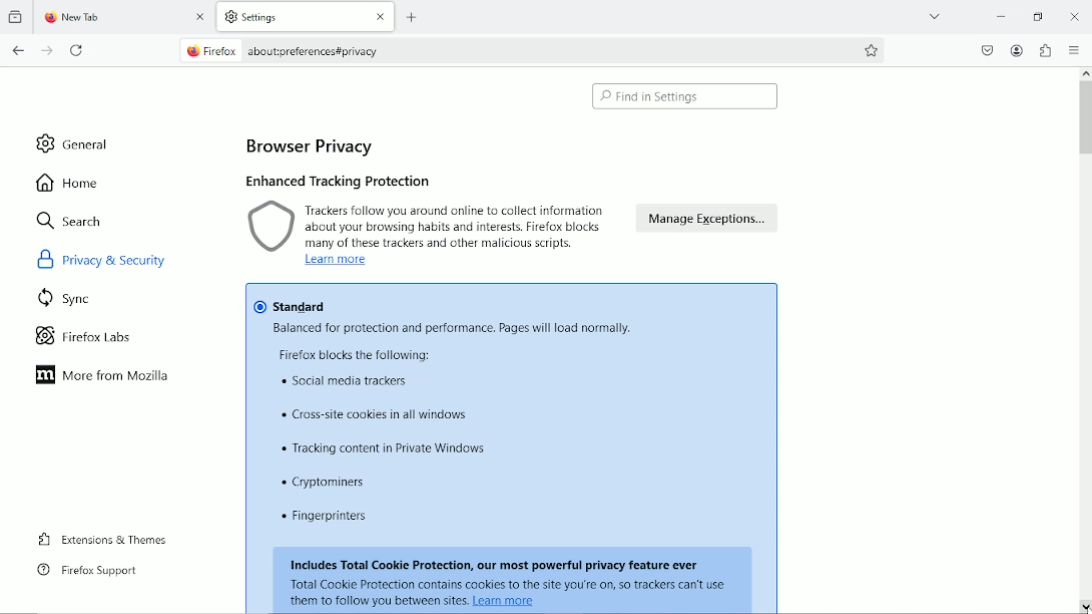  What do you see at coordinates (709, 223) in the screenshot?
I see `manage exceptions` at bounding box center [709, 223].